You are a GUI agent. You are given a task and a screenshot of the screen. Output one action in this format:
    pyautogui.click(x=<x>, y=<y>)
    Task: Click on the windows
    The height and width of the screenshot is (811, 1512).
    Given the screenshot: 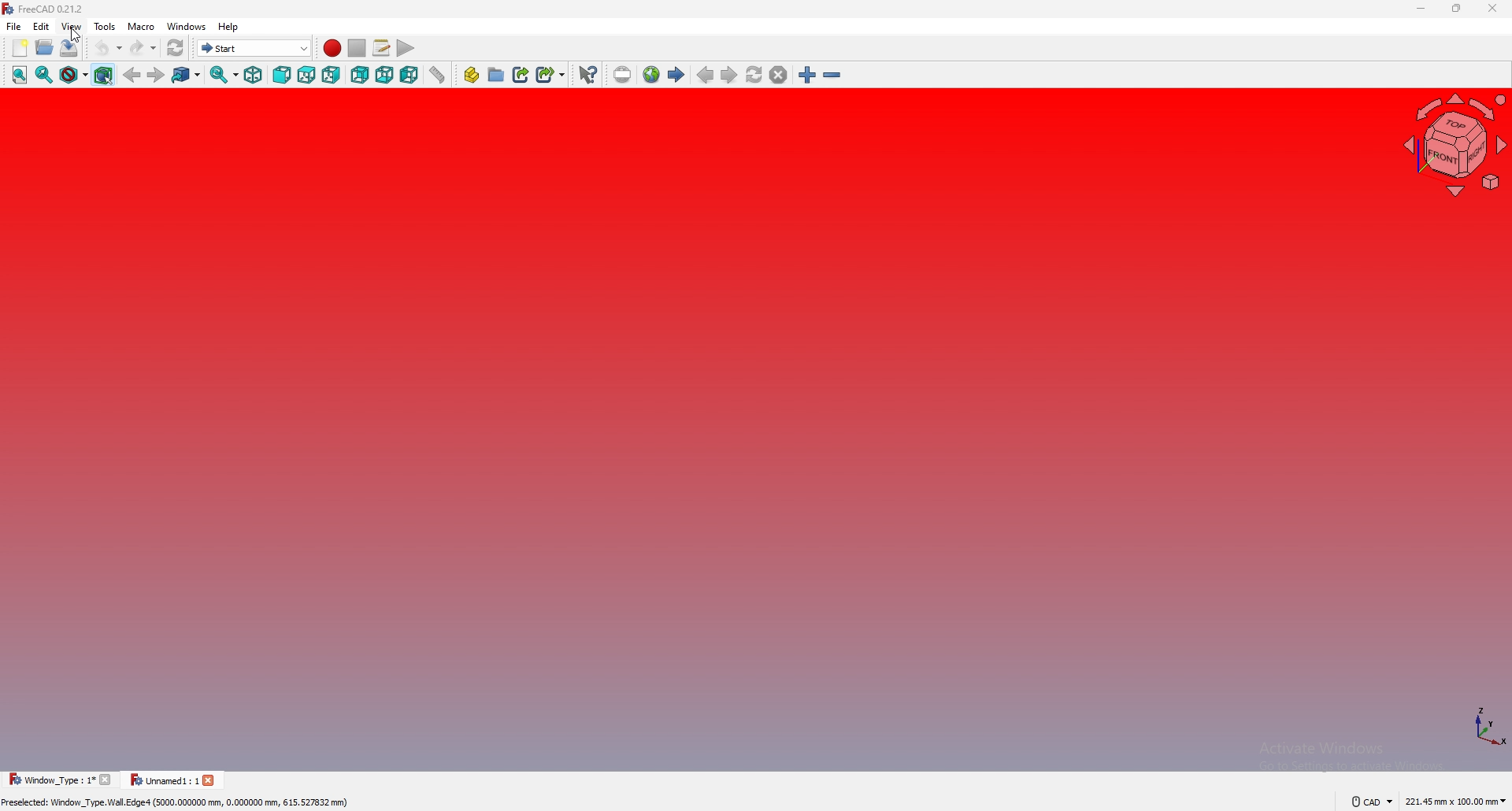 What is the action you would take?
    pyautogui.click(x=187, y=27)
    